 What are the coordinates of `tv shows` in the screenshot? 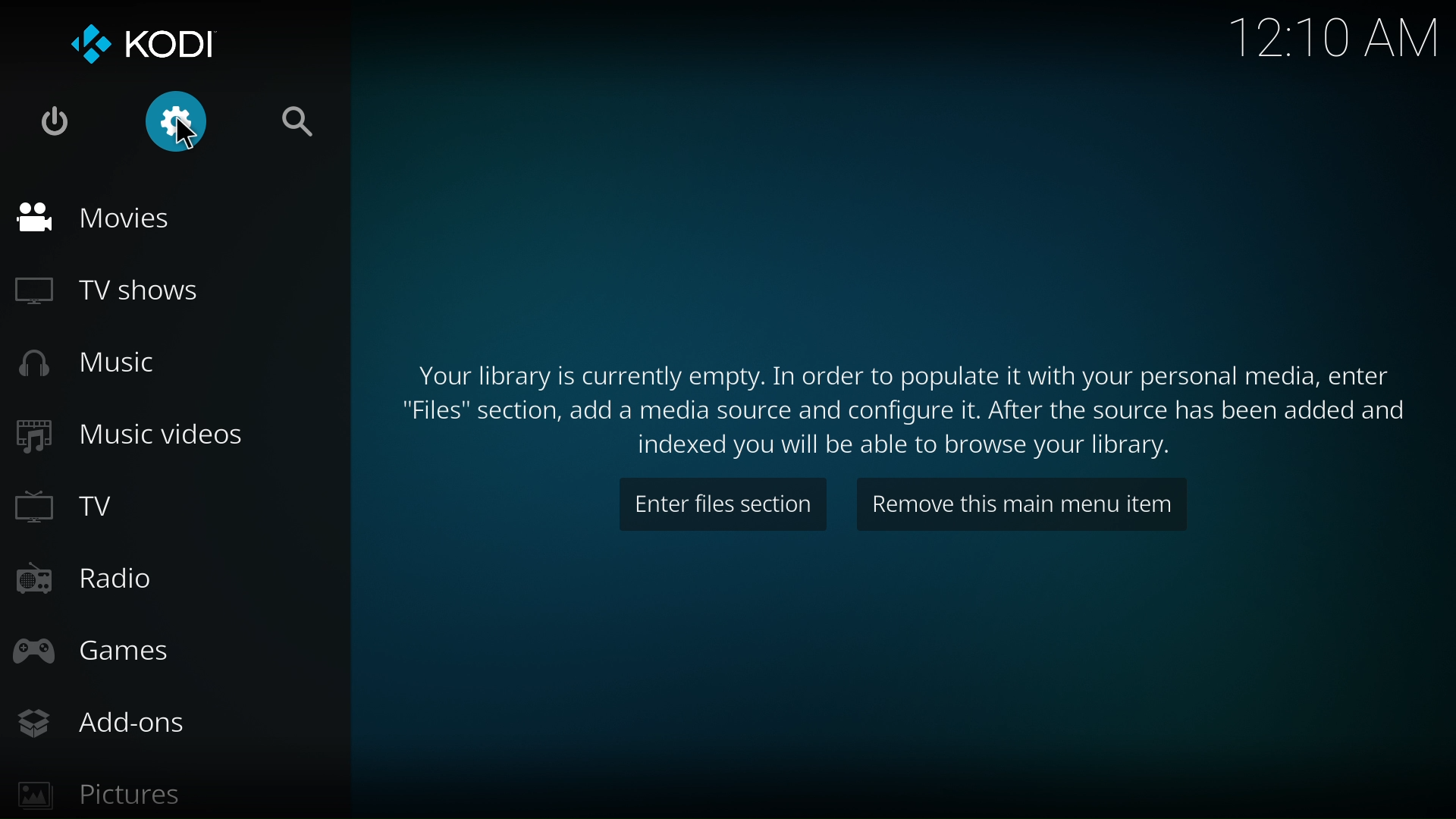 It's located at (108, 288).